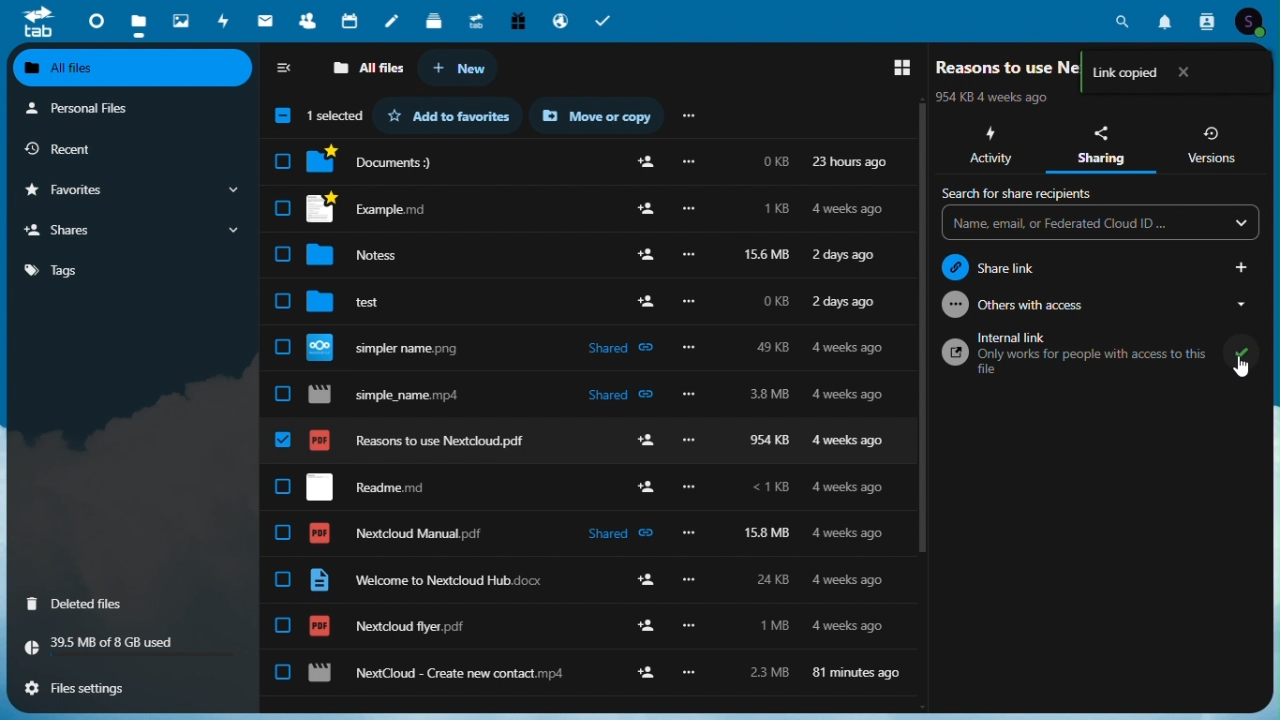  What do you see at coordinates (283, 672) in the screenshot?
I see `checkbox` at bounding box center [283, 672].